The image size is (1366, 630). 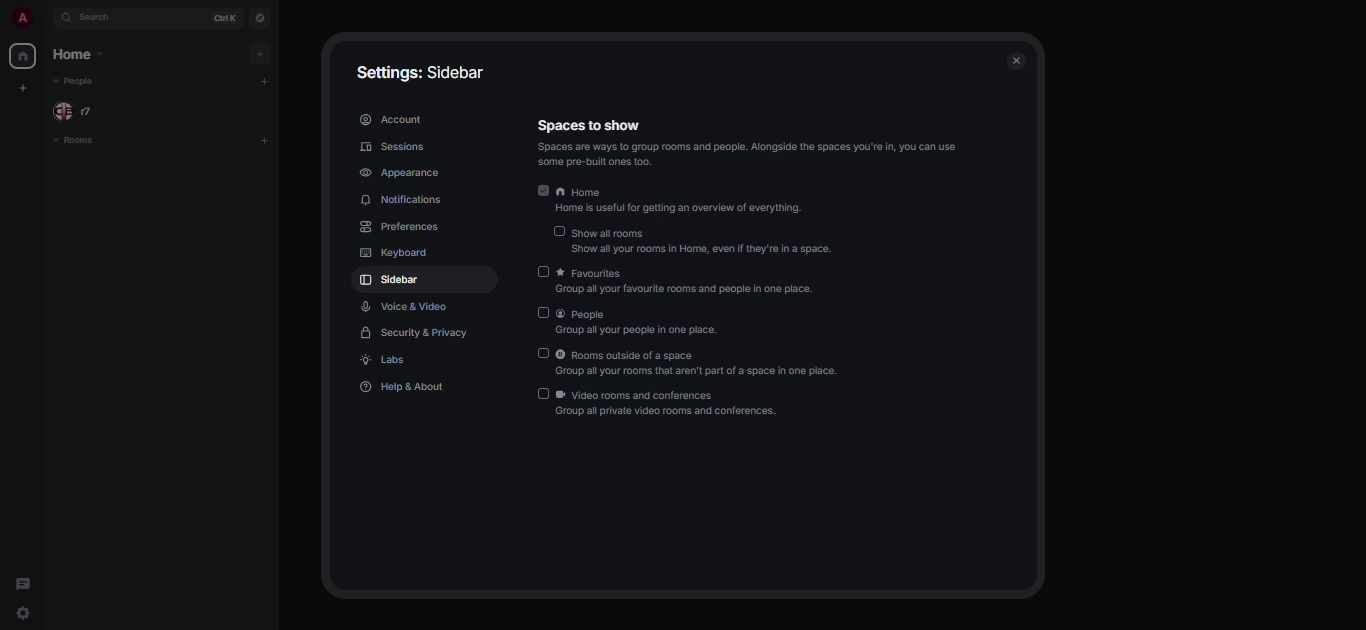 I want to click on rooms outside of a space, so click(x=708, y=355).